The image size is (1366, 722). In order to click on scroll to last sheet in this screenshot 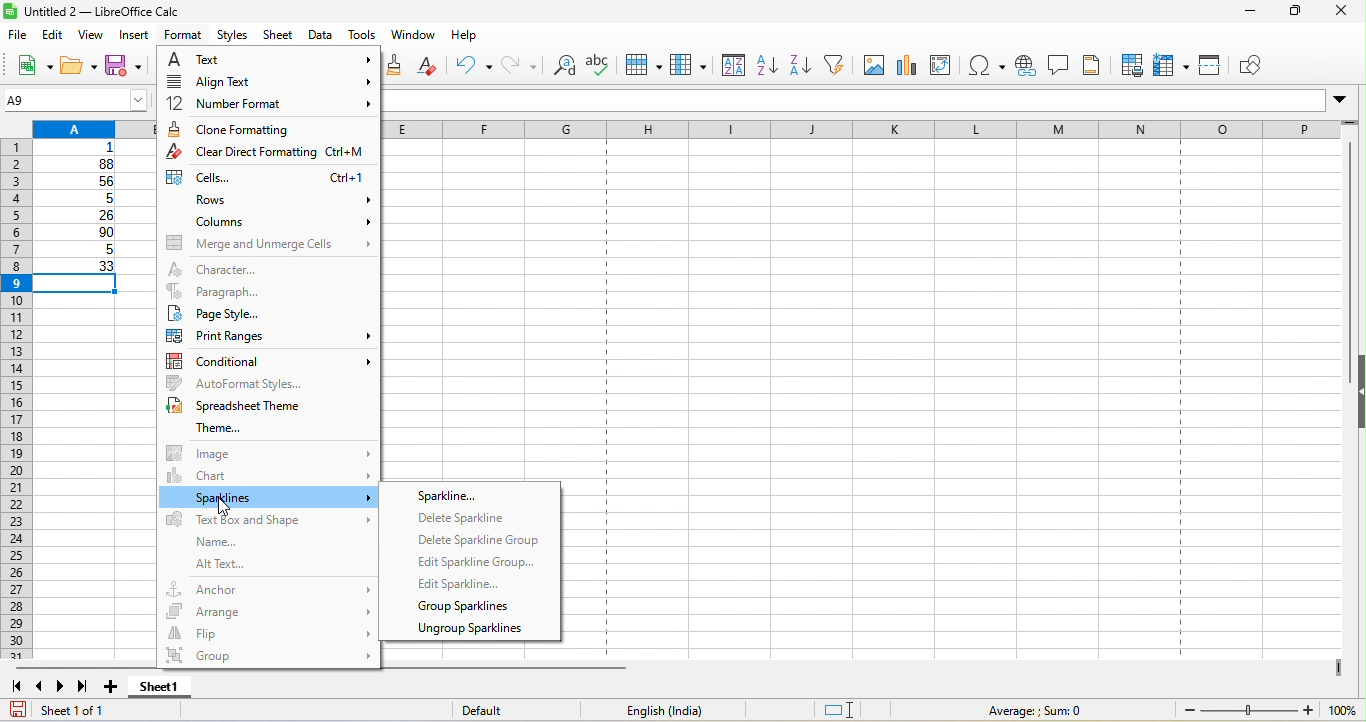, I will do `click(88, 689)`.